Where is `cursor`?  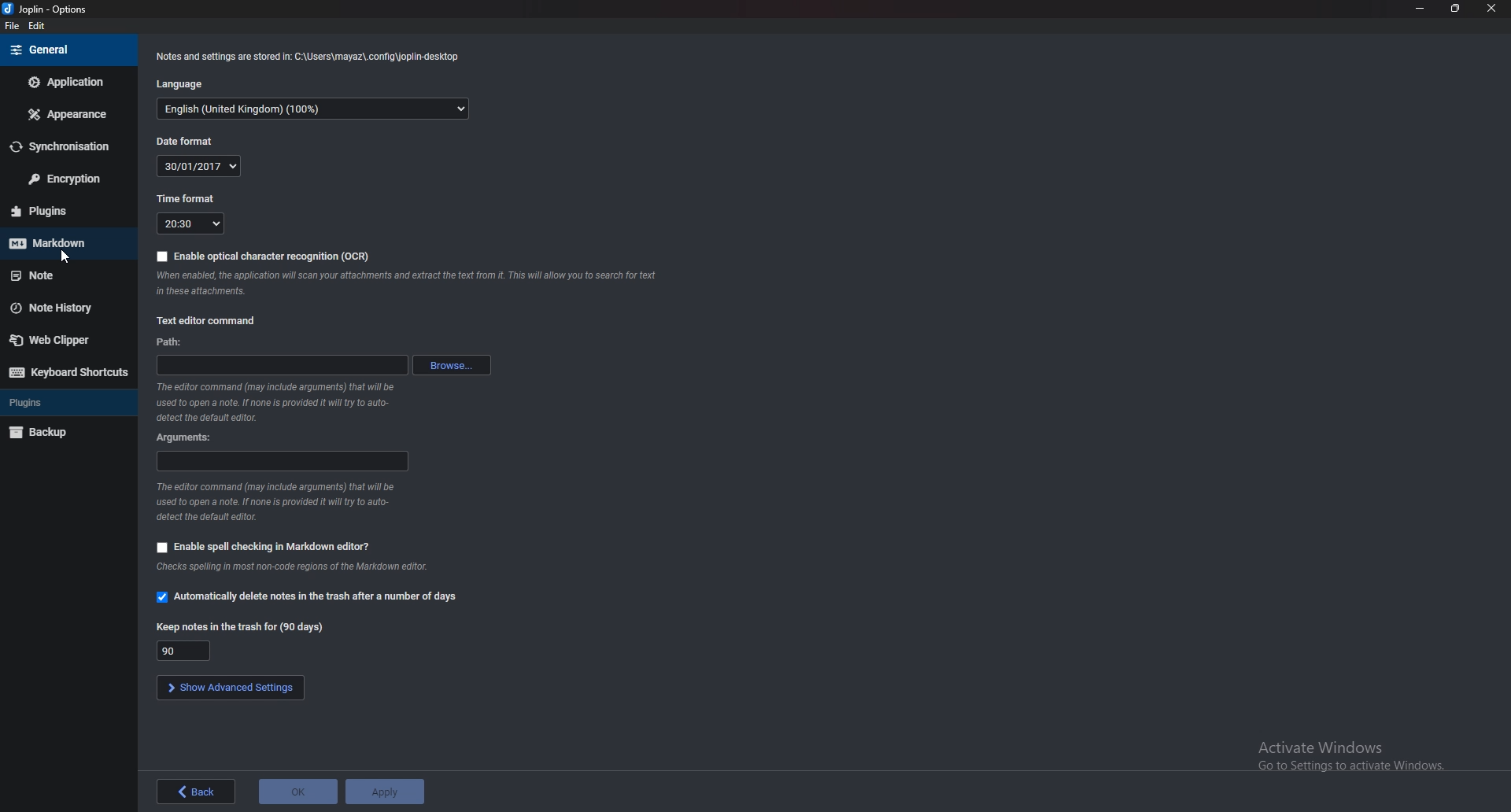 cursor is located at coordinates (65, 259).